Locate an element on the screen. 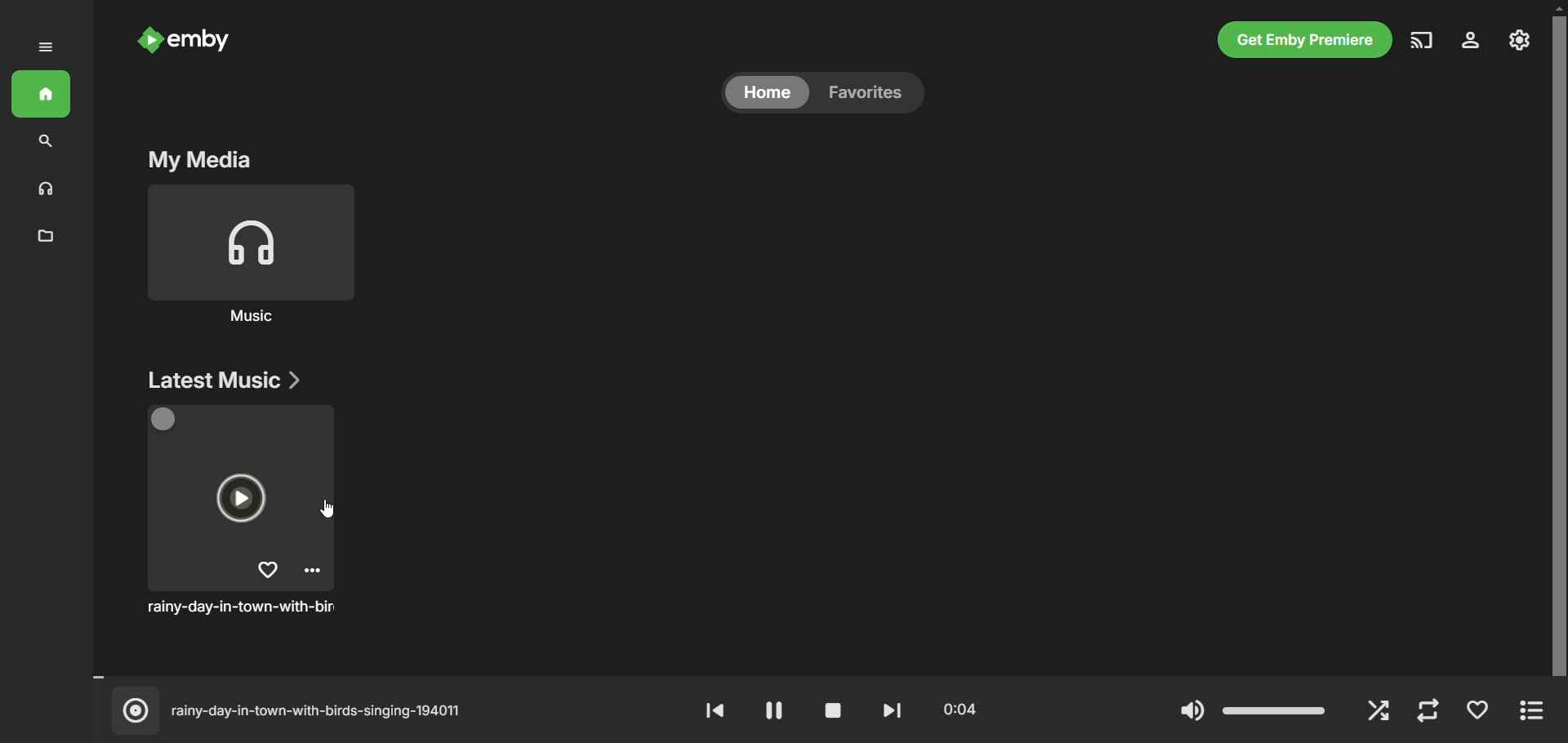 The width and height of the screenshot is (1568, 743). expand is located at coordinates (50, 50).